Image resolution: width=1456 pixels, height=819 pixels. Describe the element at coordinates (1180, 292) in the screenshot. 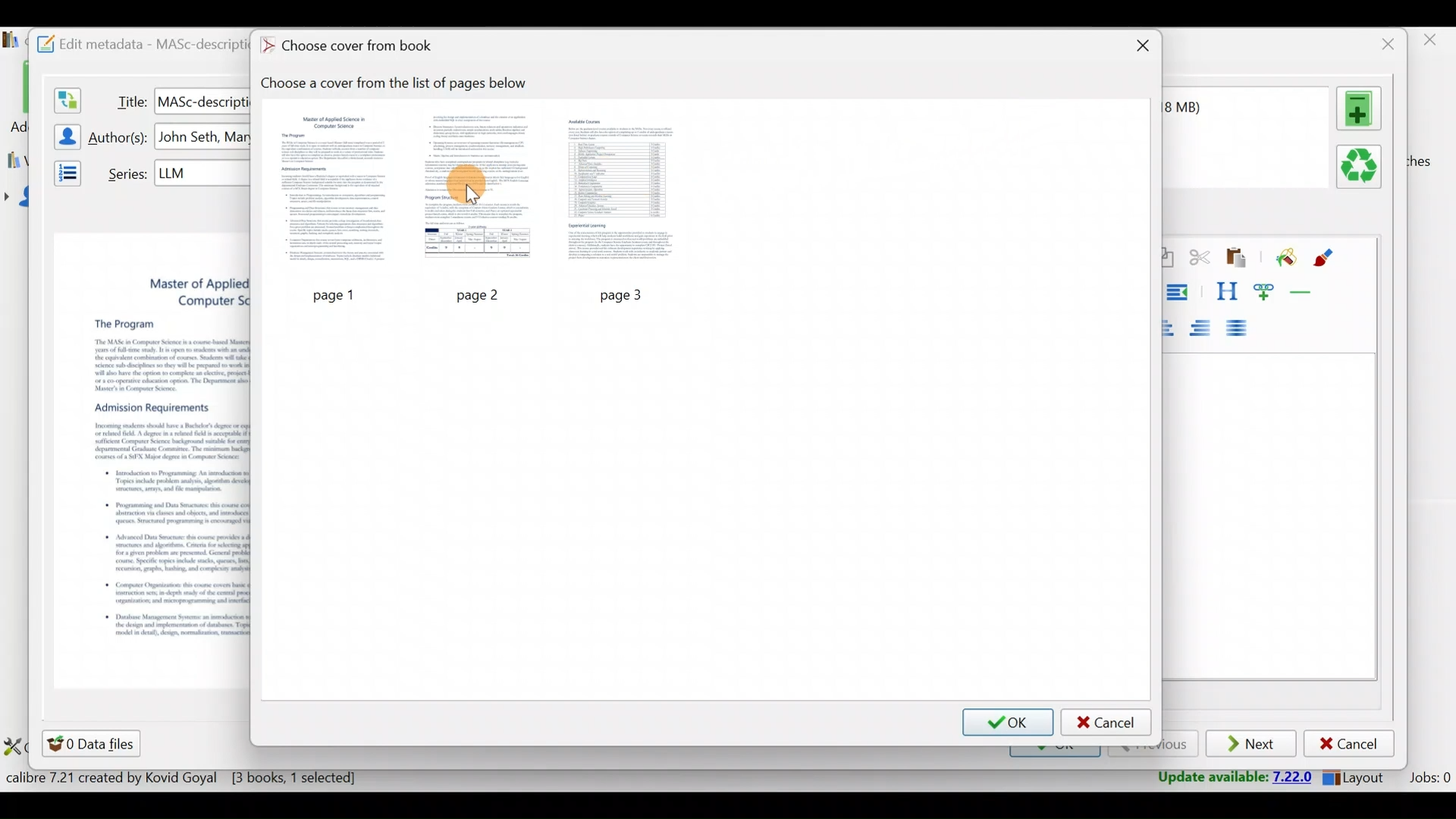

I see `Decrease indentation` at that location.